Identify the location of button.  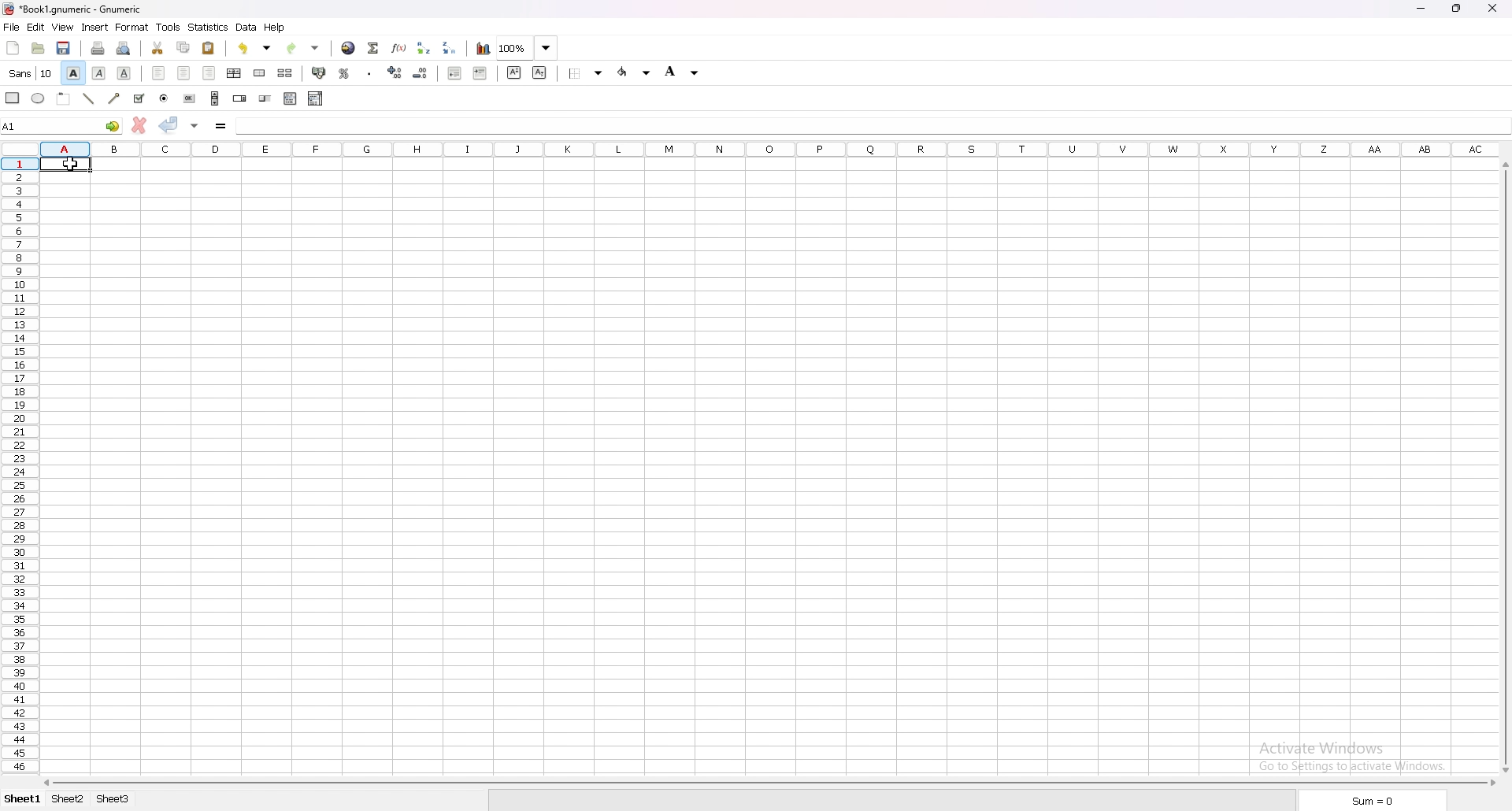
(188, 98).